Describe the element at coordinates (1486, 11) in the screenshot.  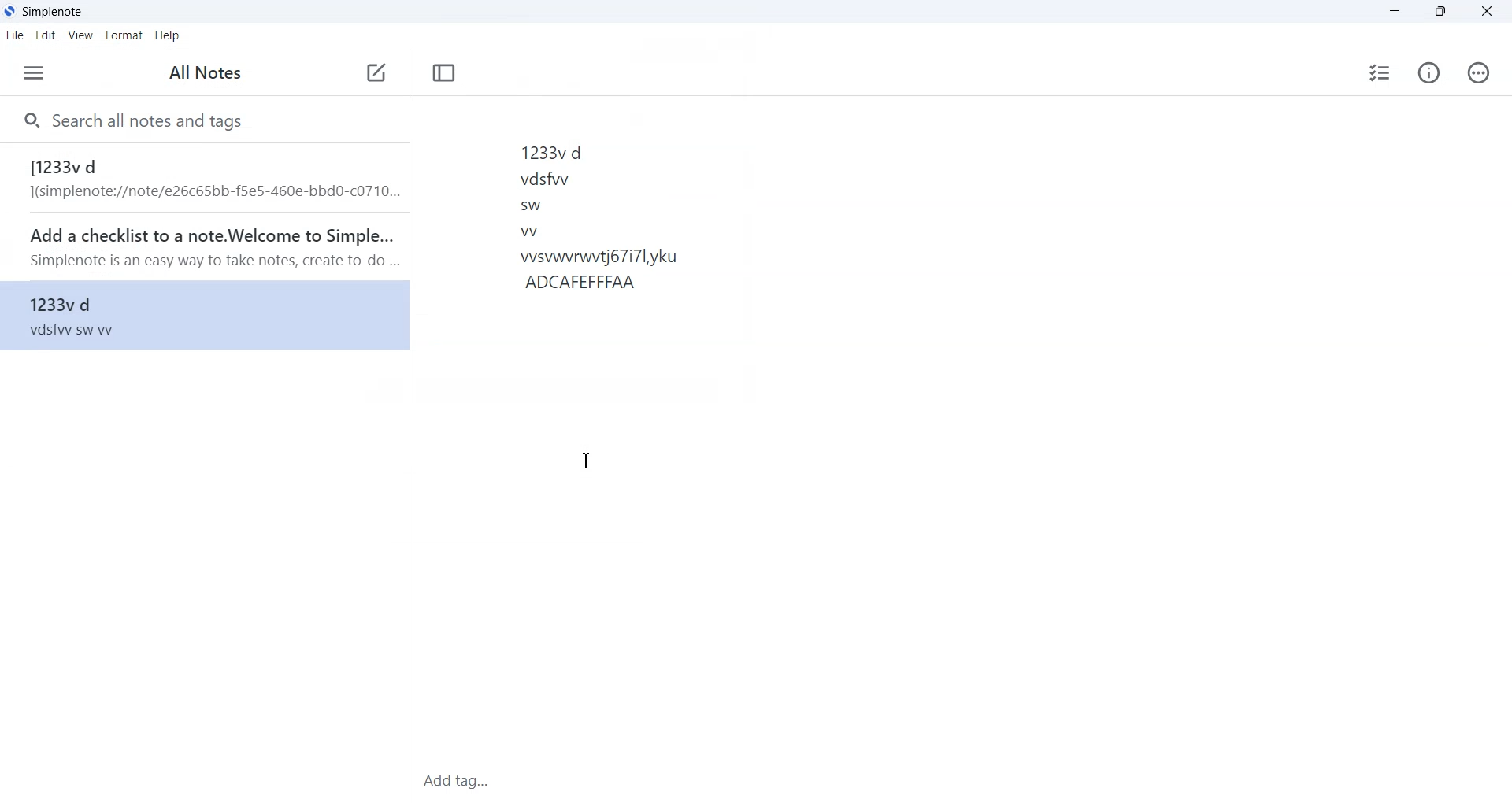
I see `Close` at that location.